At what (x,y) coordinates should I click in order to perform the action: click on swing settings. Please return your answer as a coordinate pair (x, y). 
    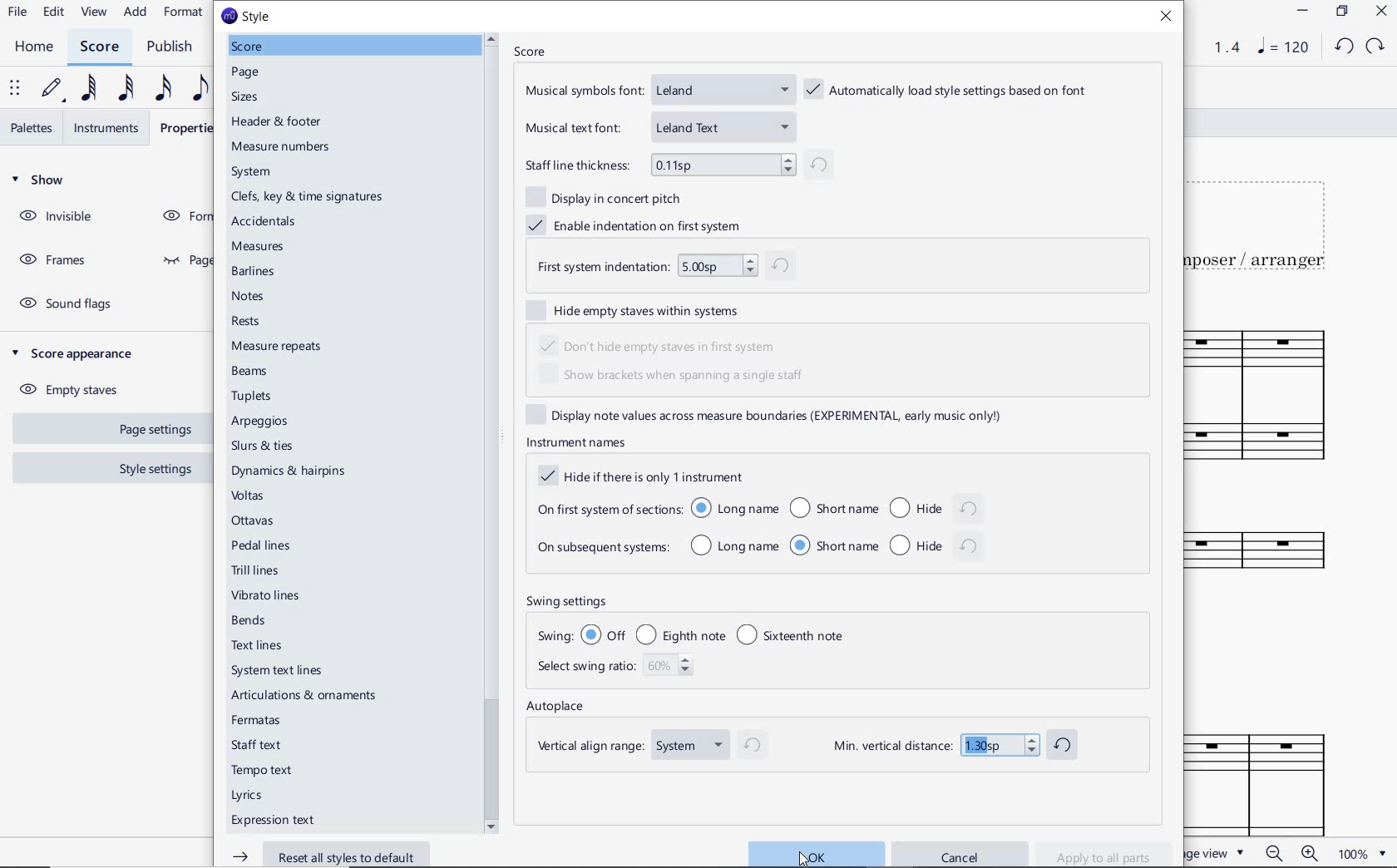
    Looking at the image, I should click on (710, 602).